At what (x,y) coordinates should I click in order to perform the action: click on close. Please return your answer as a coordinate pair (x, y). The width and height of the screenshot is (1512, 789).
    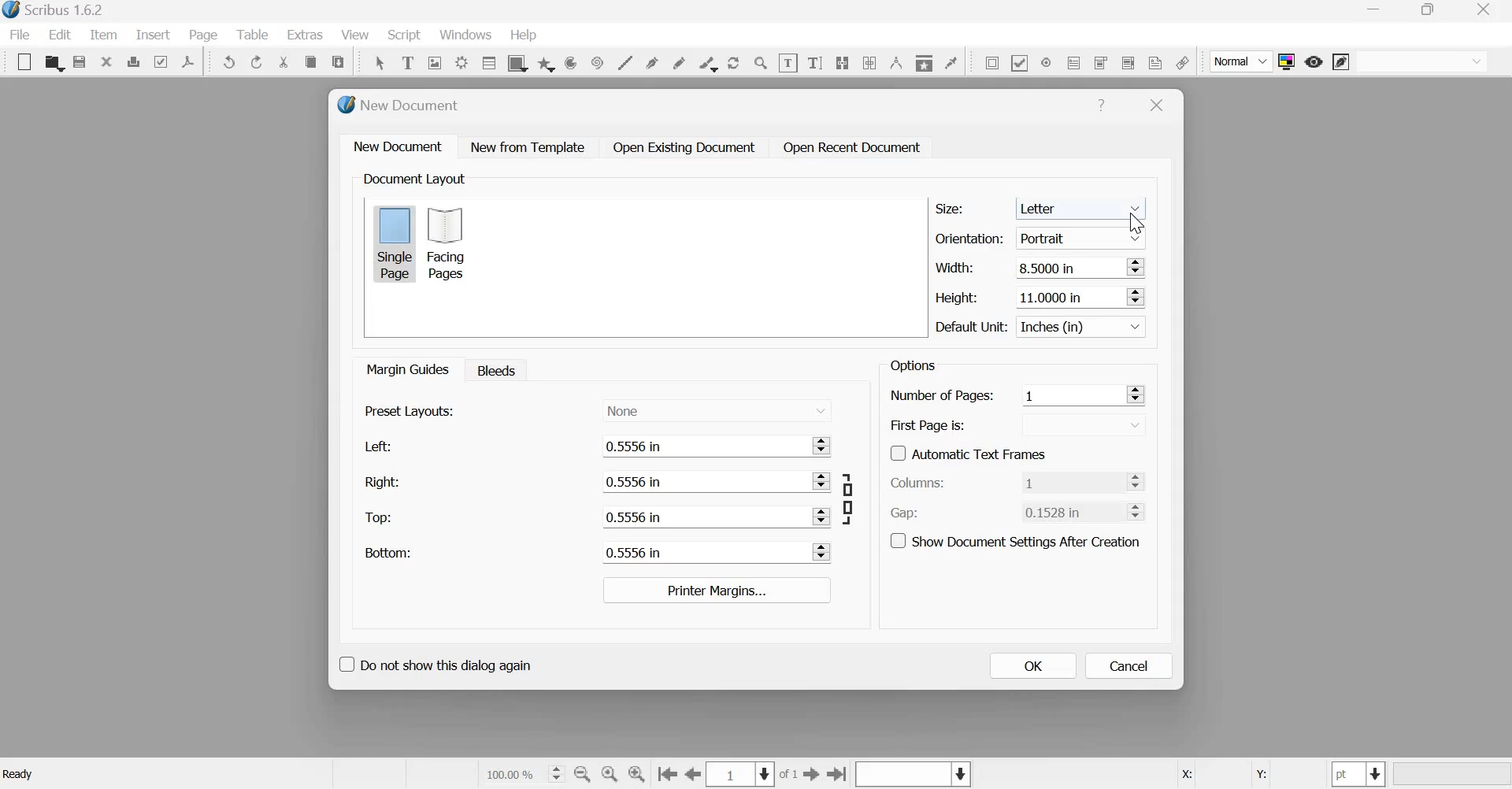
    Looking at the image, I should click on (1488, 9).